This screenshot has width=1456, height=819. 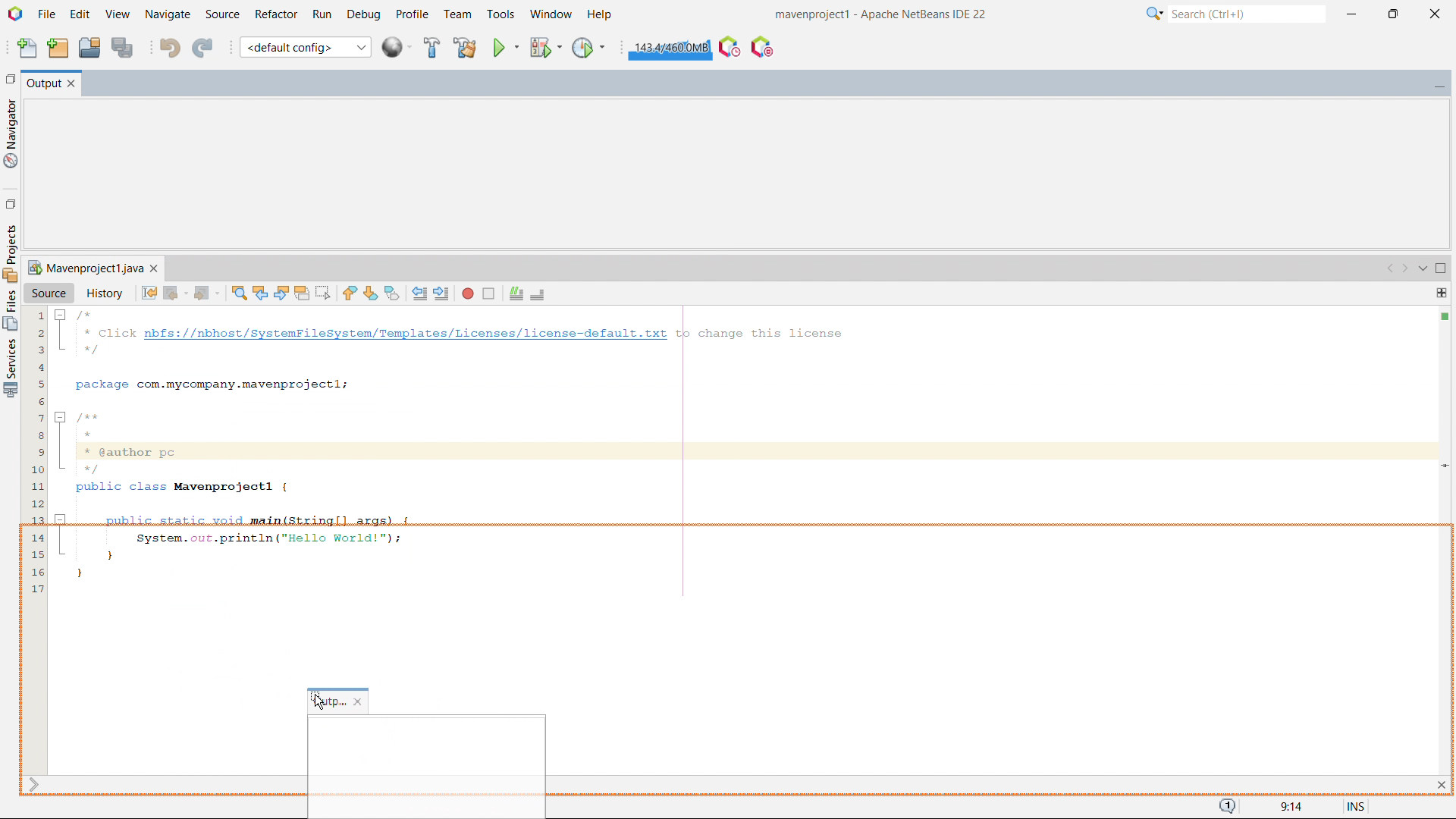 What do you see at coordinates (763, 47) in the screenshot?
I see `pause I/O checks` at bounding box center [763, 47].